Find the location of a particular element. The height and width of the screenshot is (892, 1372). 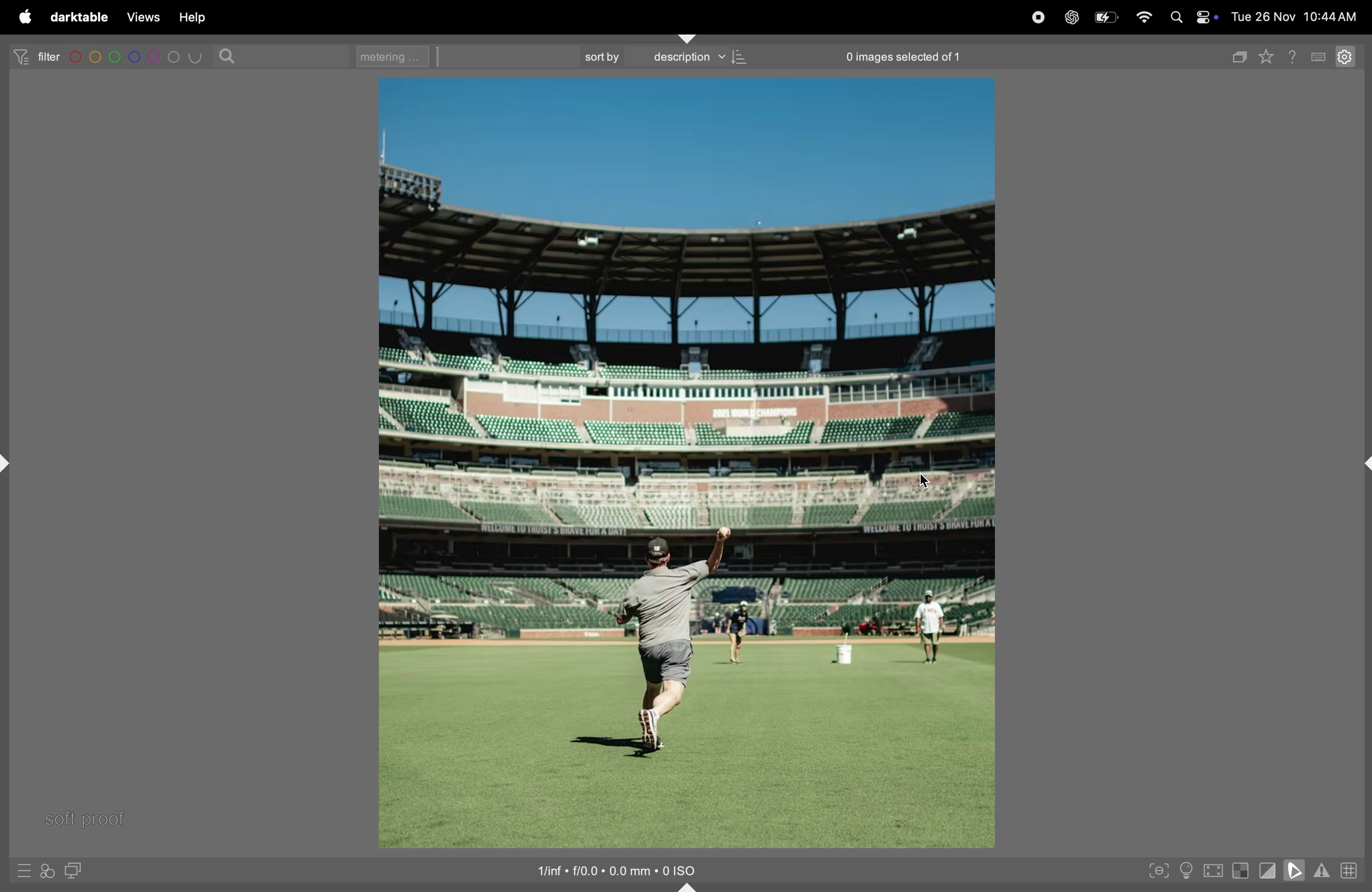

shift+ctrl+r is located at coordinates (1363, 463).